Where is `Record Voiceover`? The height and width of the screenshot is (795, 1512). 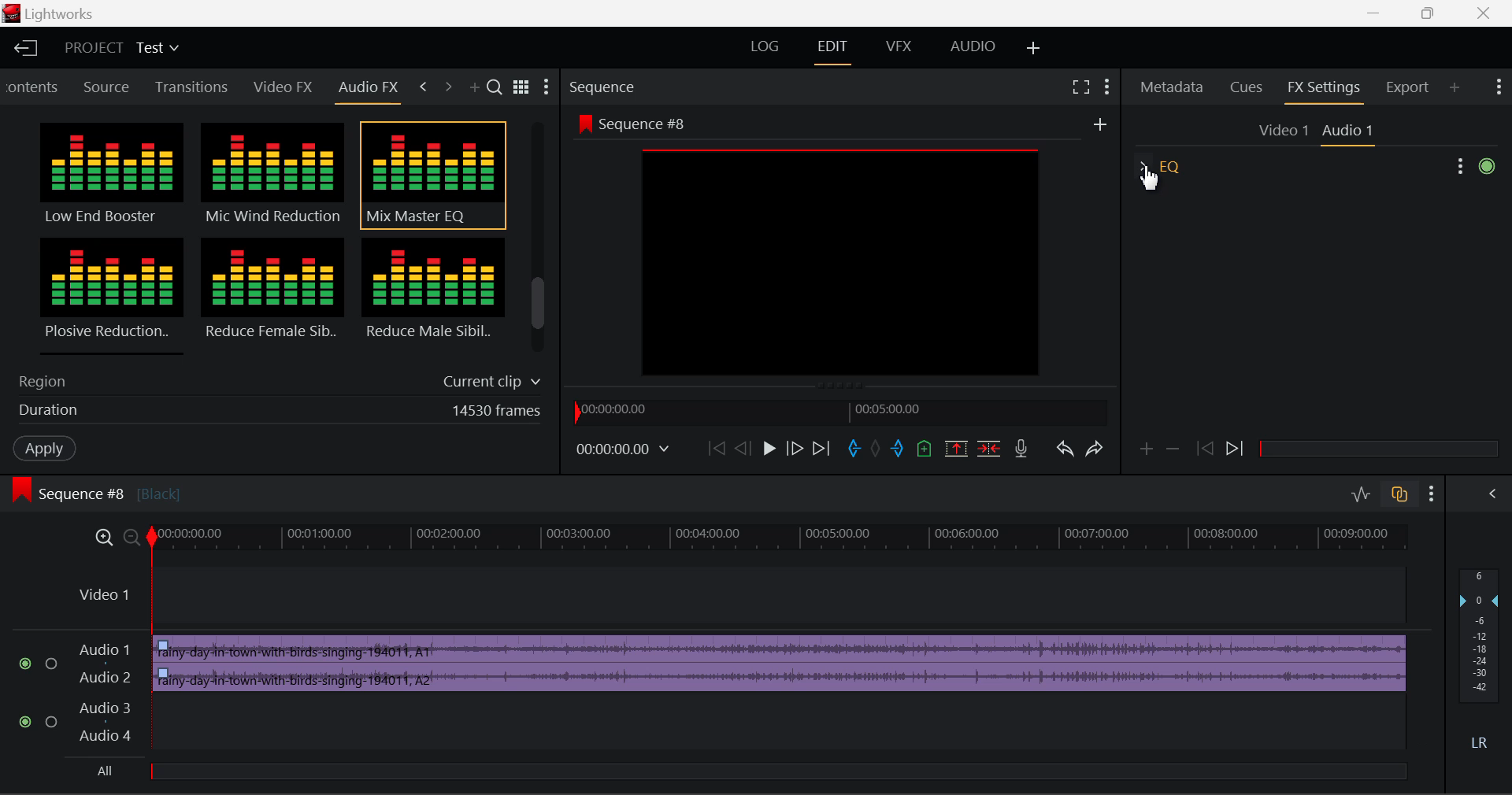
Record Voiceover is located at coordinates (1020, 449).